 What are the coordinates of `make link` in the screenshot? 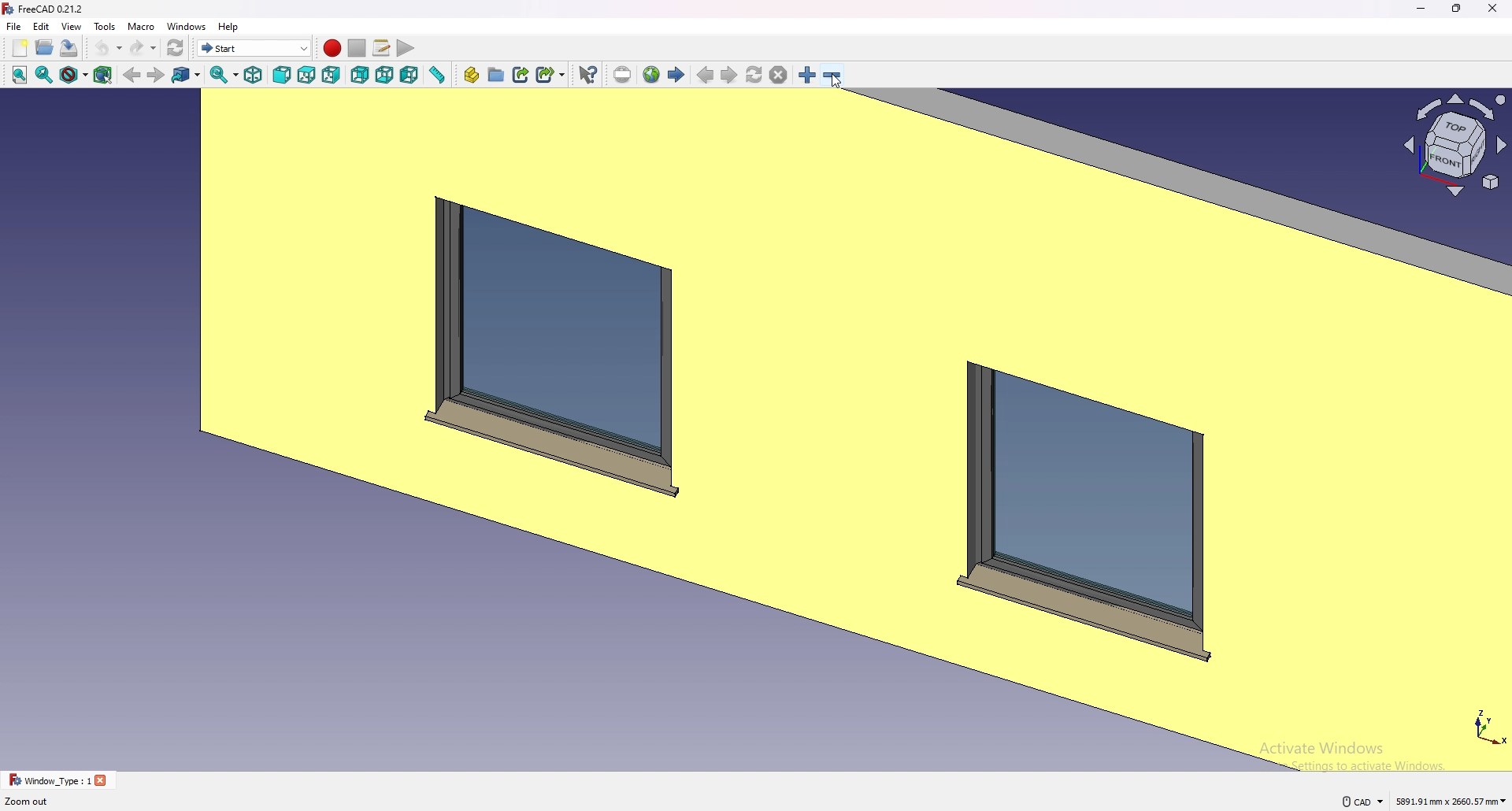 It's located at (521, 74).